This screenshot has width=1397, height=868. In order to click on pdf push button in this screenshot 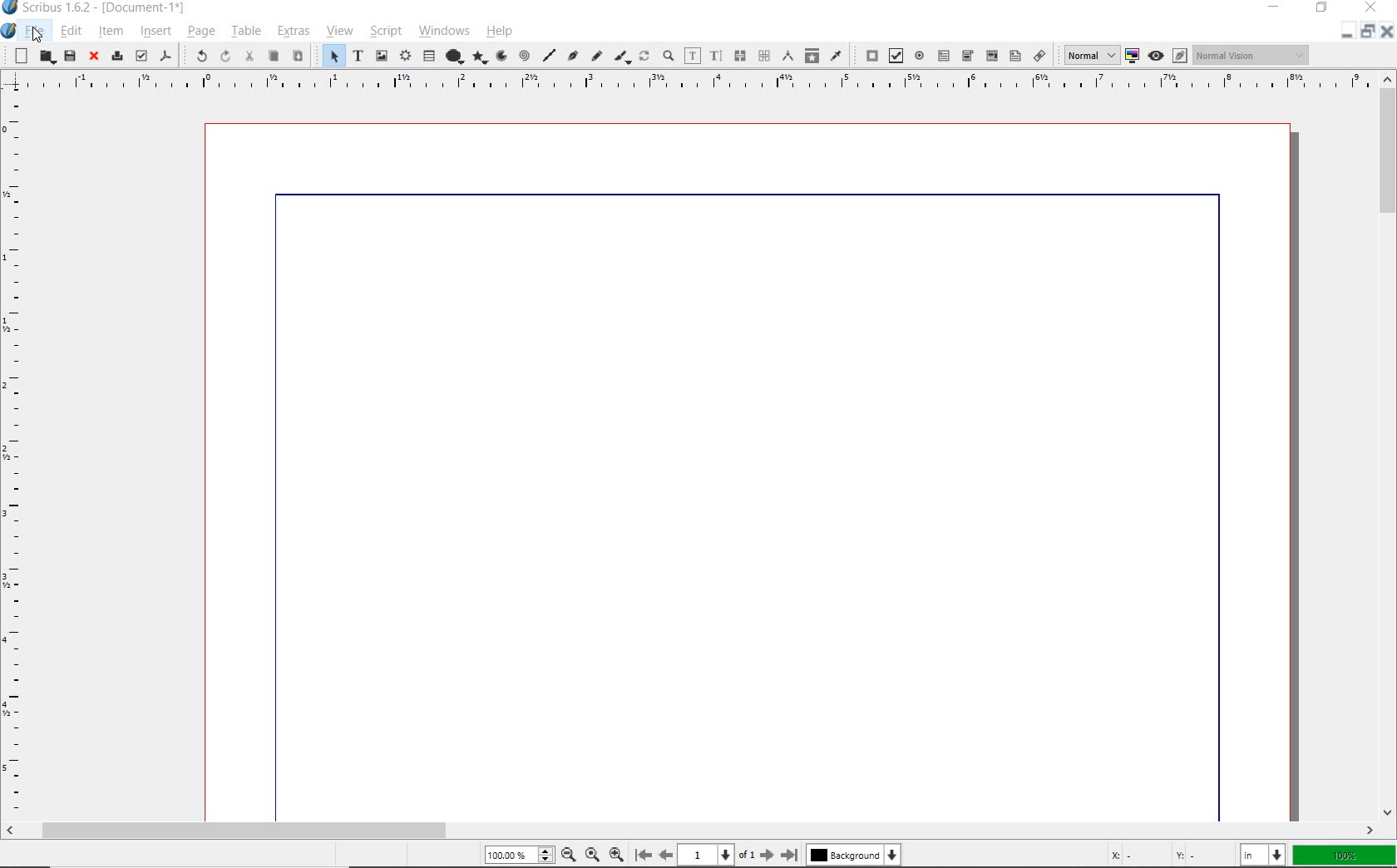, I will do `click(866, 55)`.